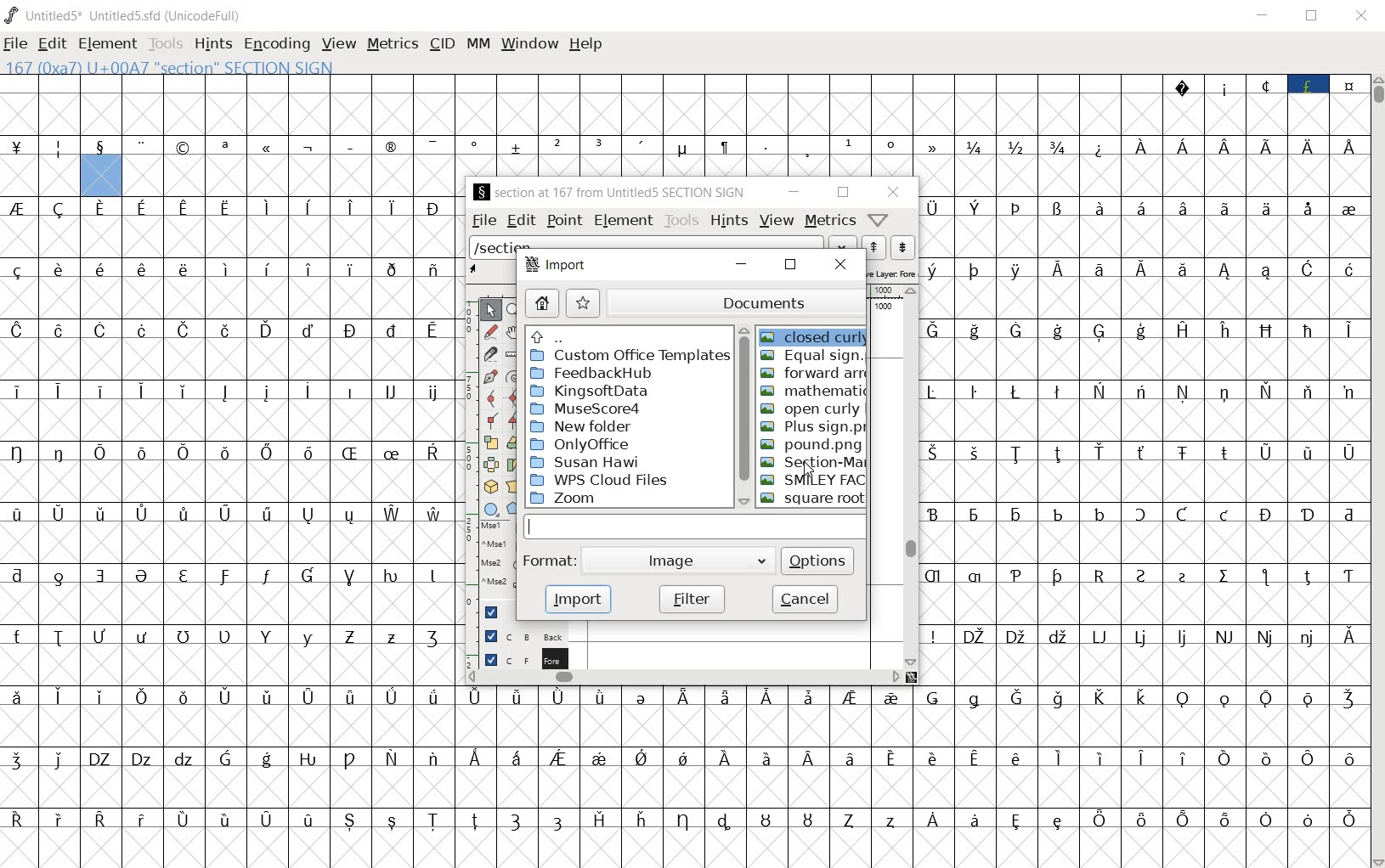 This screenshot has height=868, width=1385. Describe the element at coordinates (491, 442) in the screenshot. I see `scale the selection` at that location.